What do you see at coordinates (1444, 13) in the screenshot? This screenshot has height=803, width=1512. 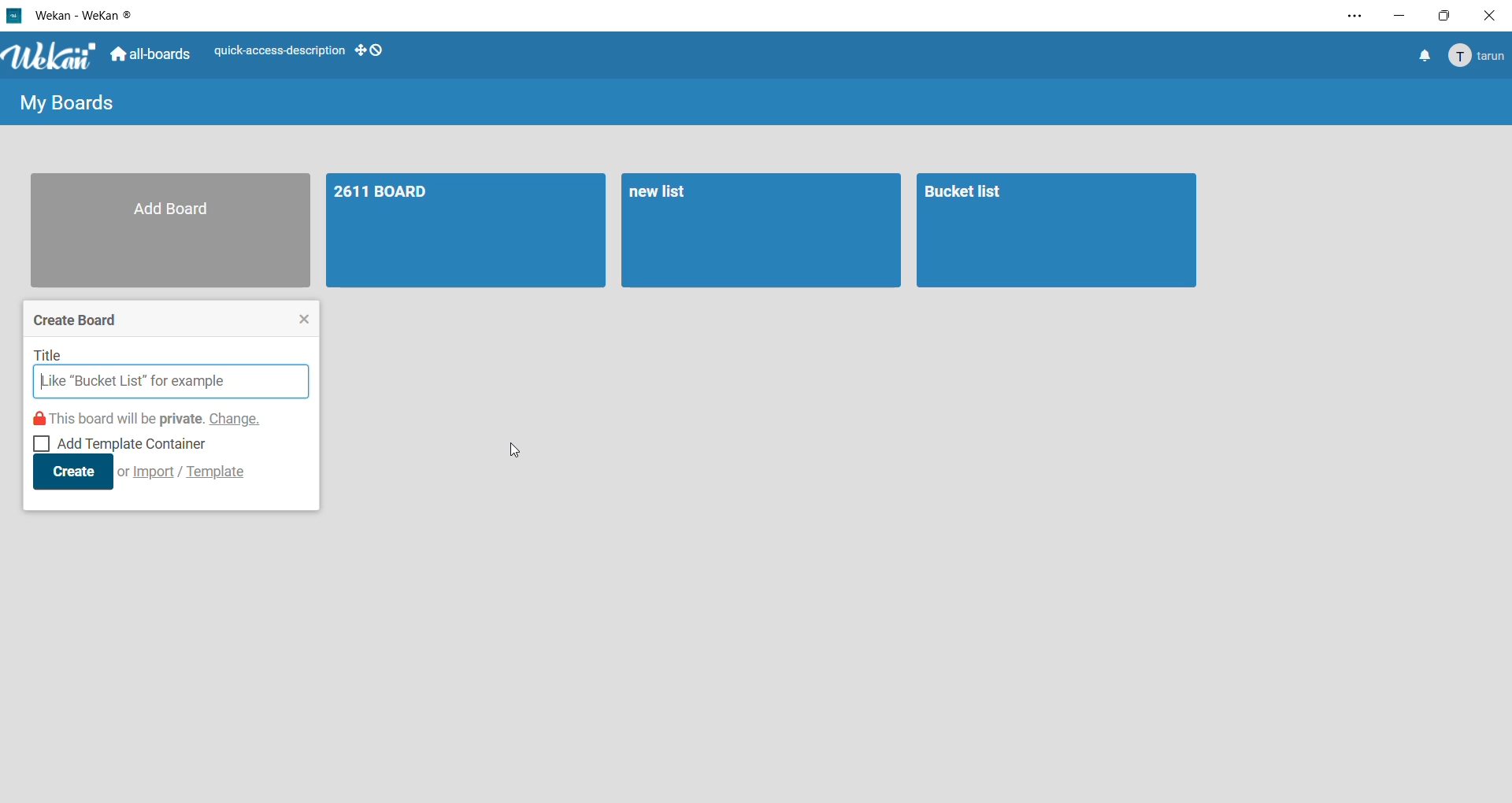 I see `maximize` at bounding box center [1444, 13].